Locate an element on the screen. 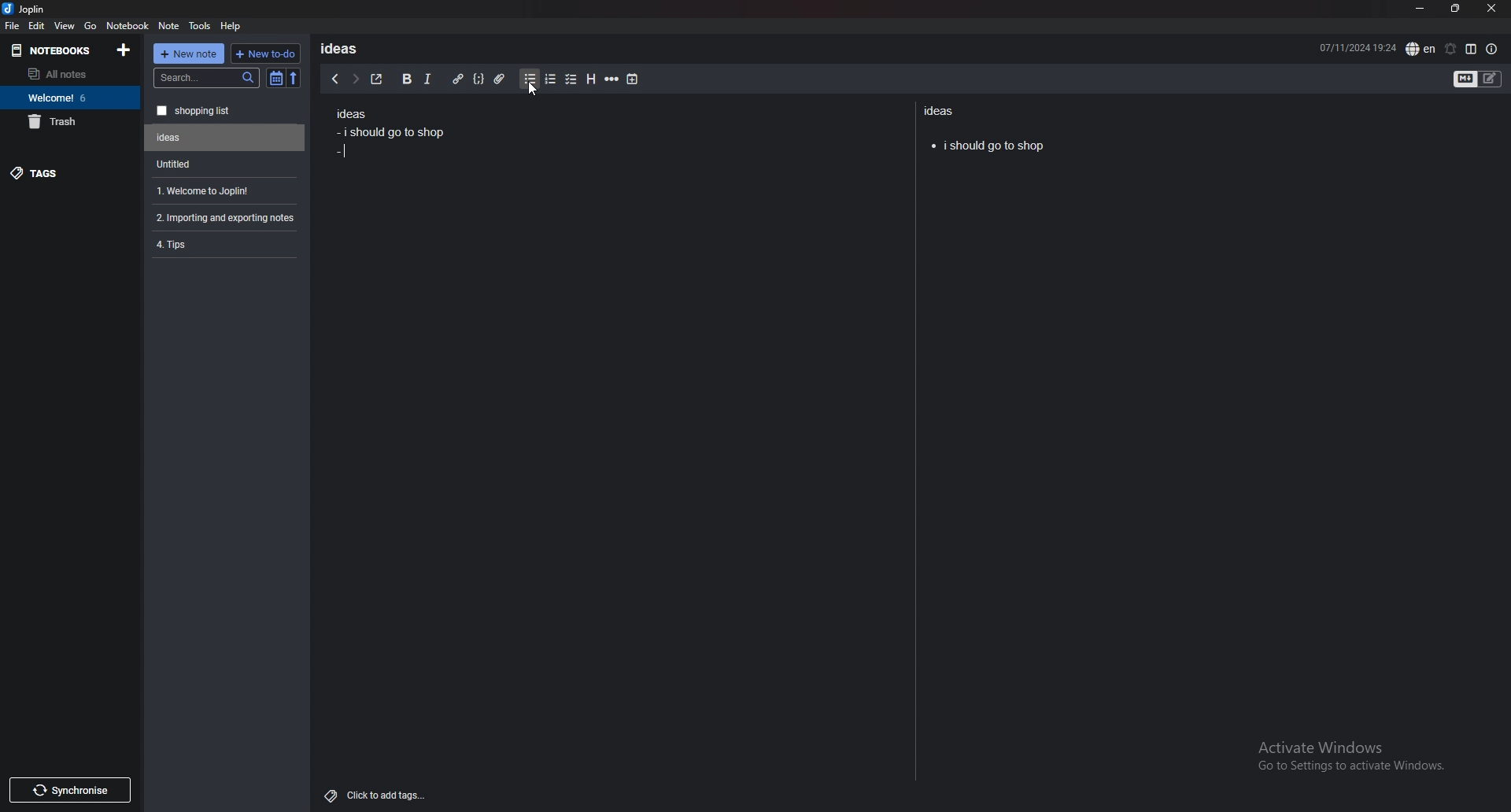 Image resolution: width=1511 pixels, height=812 pixels. help is located at coordinates (231, 25).